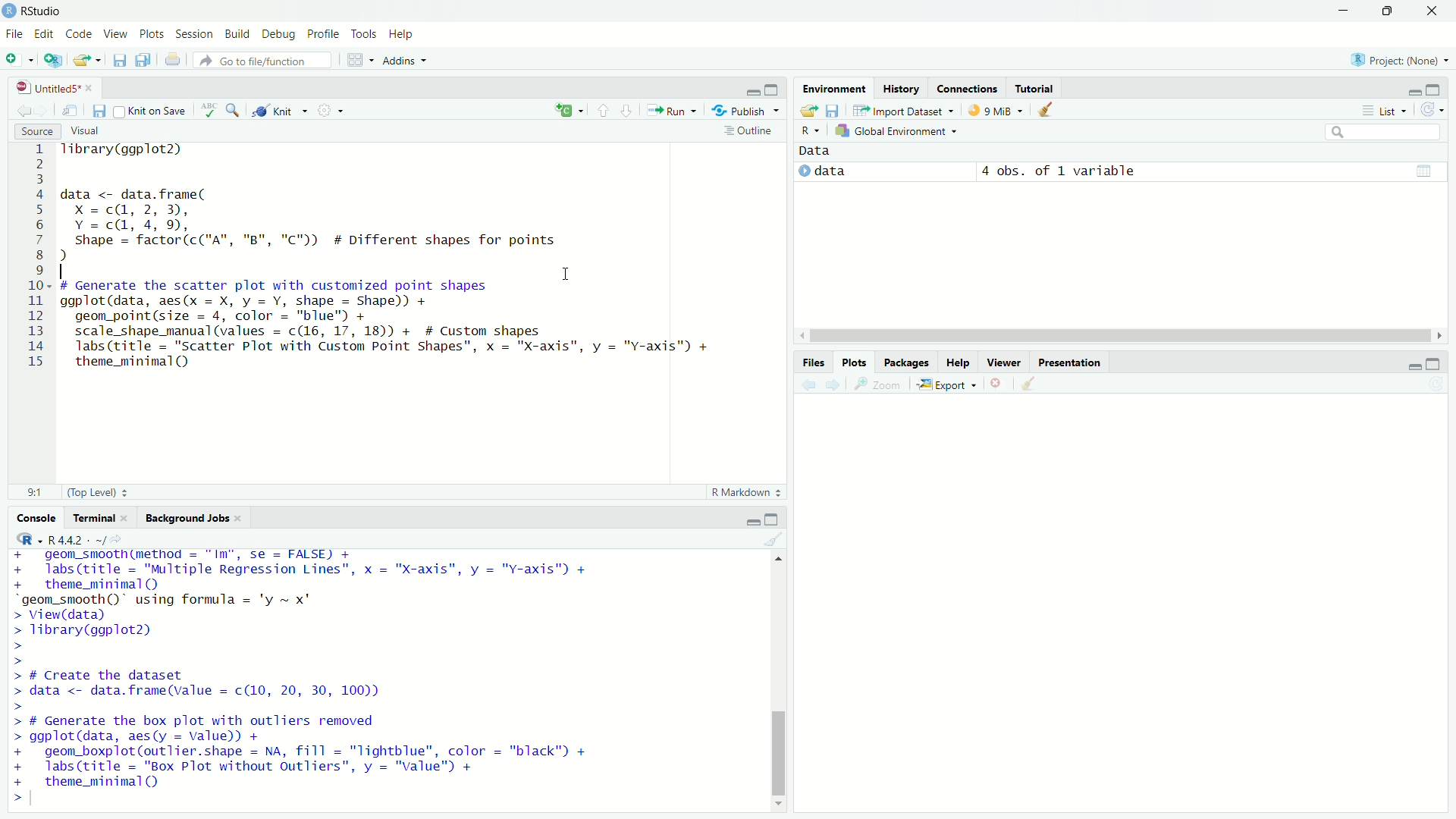 The image size is (1456, 819). I want to click on cursor, so click(565, 272).